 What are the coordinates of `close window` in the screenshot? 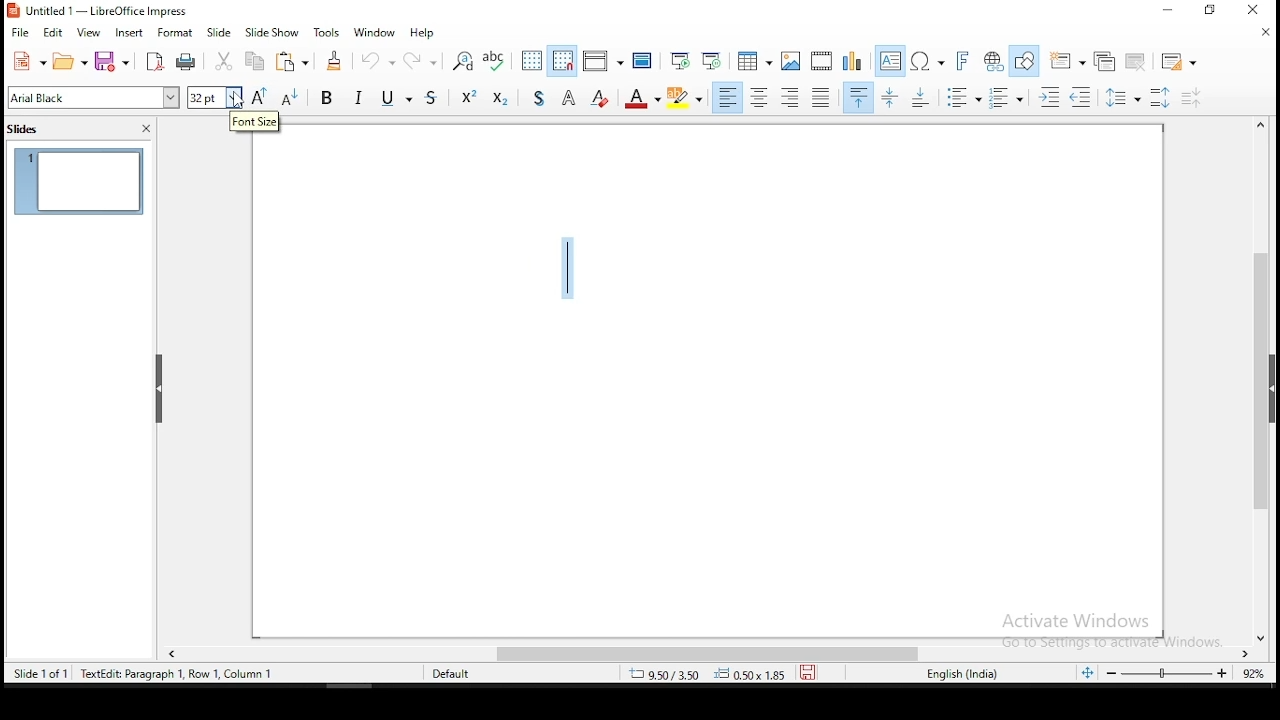 It's located at (1249, 9).